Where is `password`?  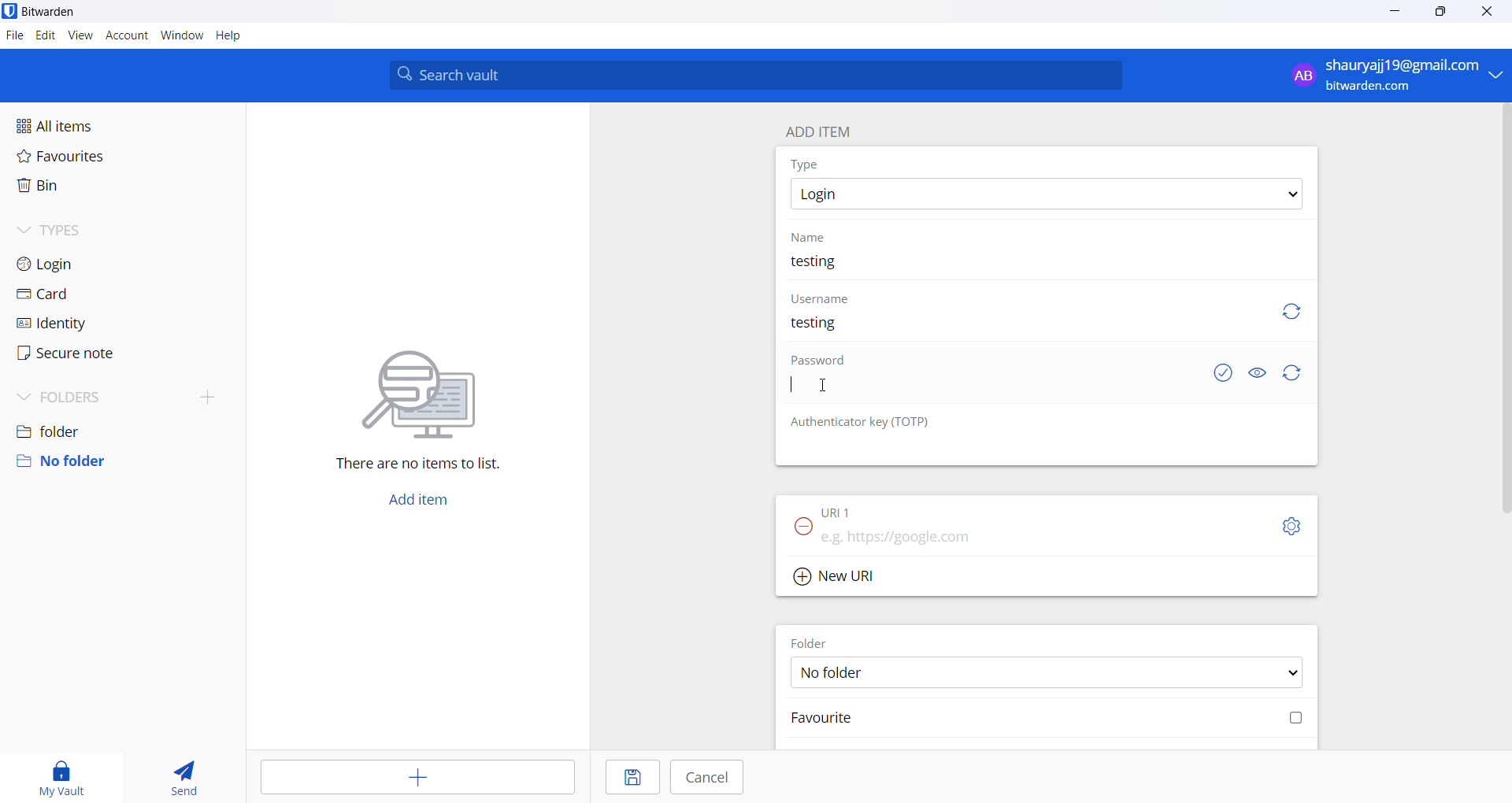 password is located at coordinates (826, 361).